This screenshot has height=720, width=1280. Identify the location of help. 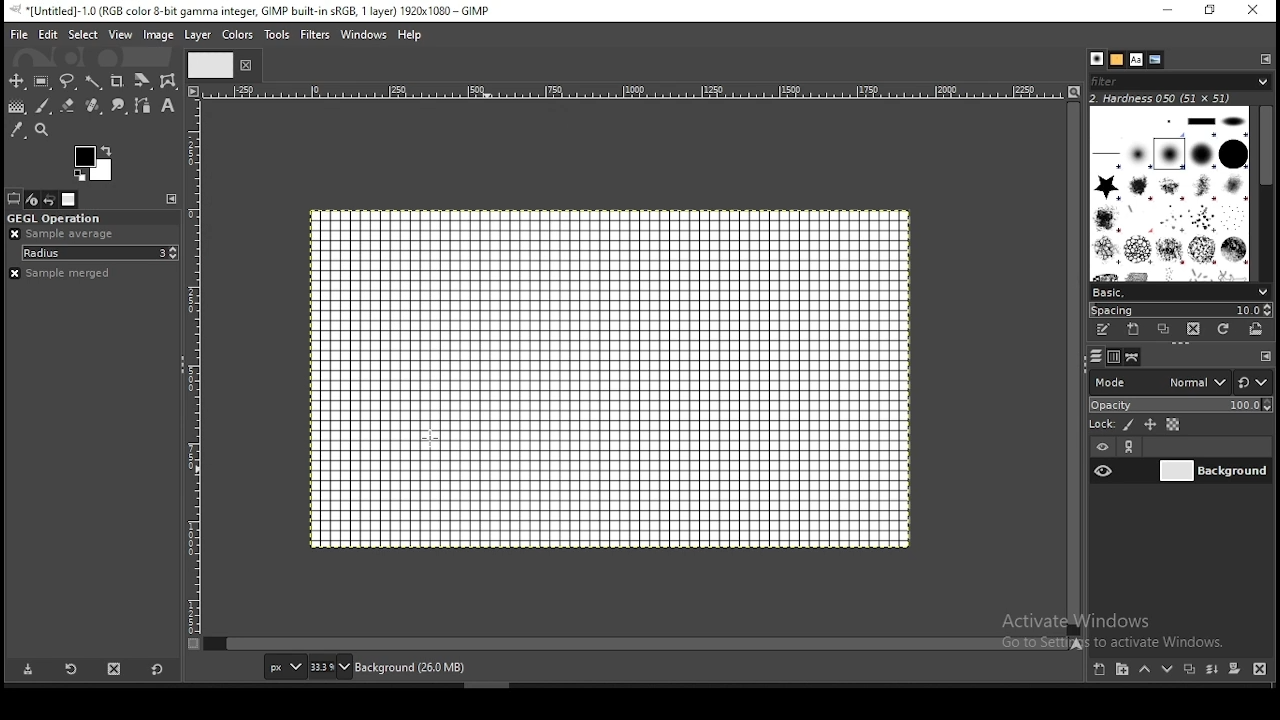
(412, 36).